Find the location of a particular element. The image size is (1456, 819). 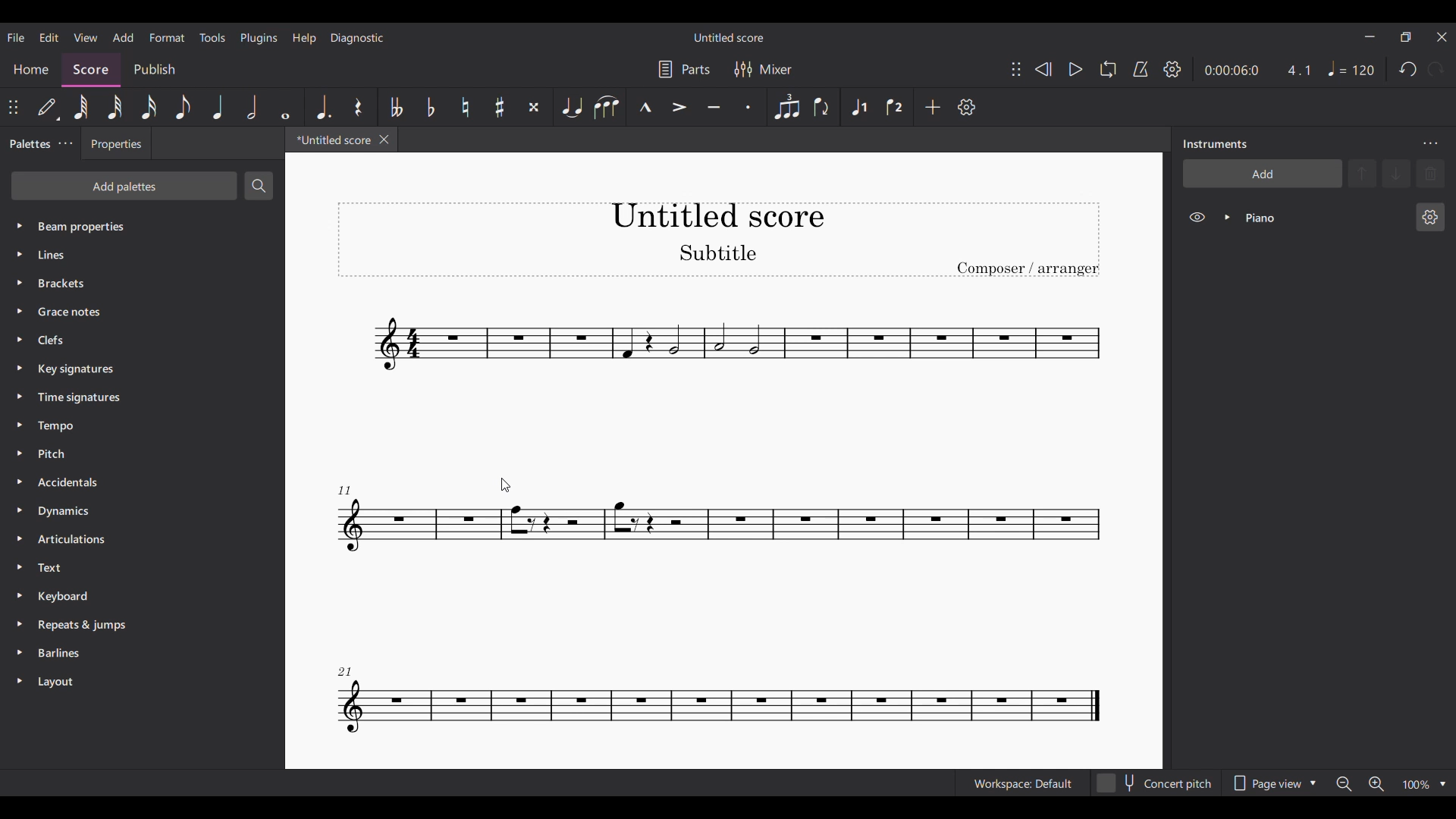

Rewind is located at coordinates (1043, 69).